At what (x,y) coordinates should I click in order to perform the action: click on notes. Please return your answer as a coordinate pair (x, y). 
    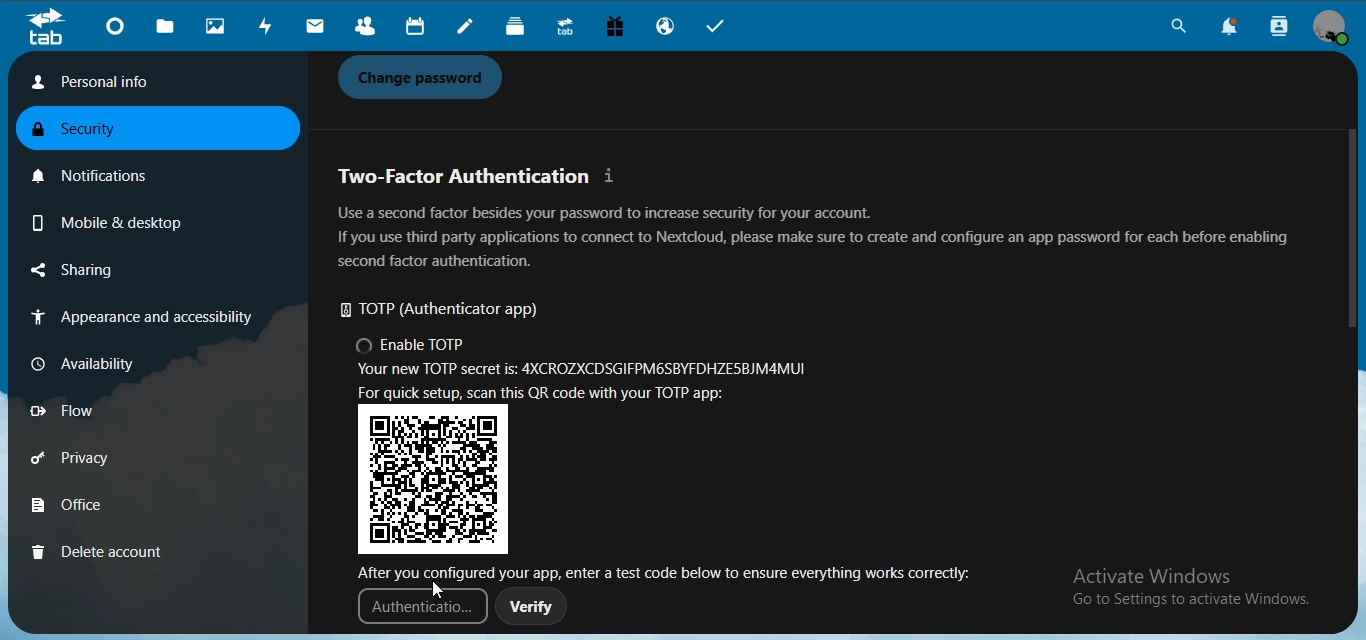
    Looking at the image, I should click on (468, 28).